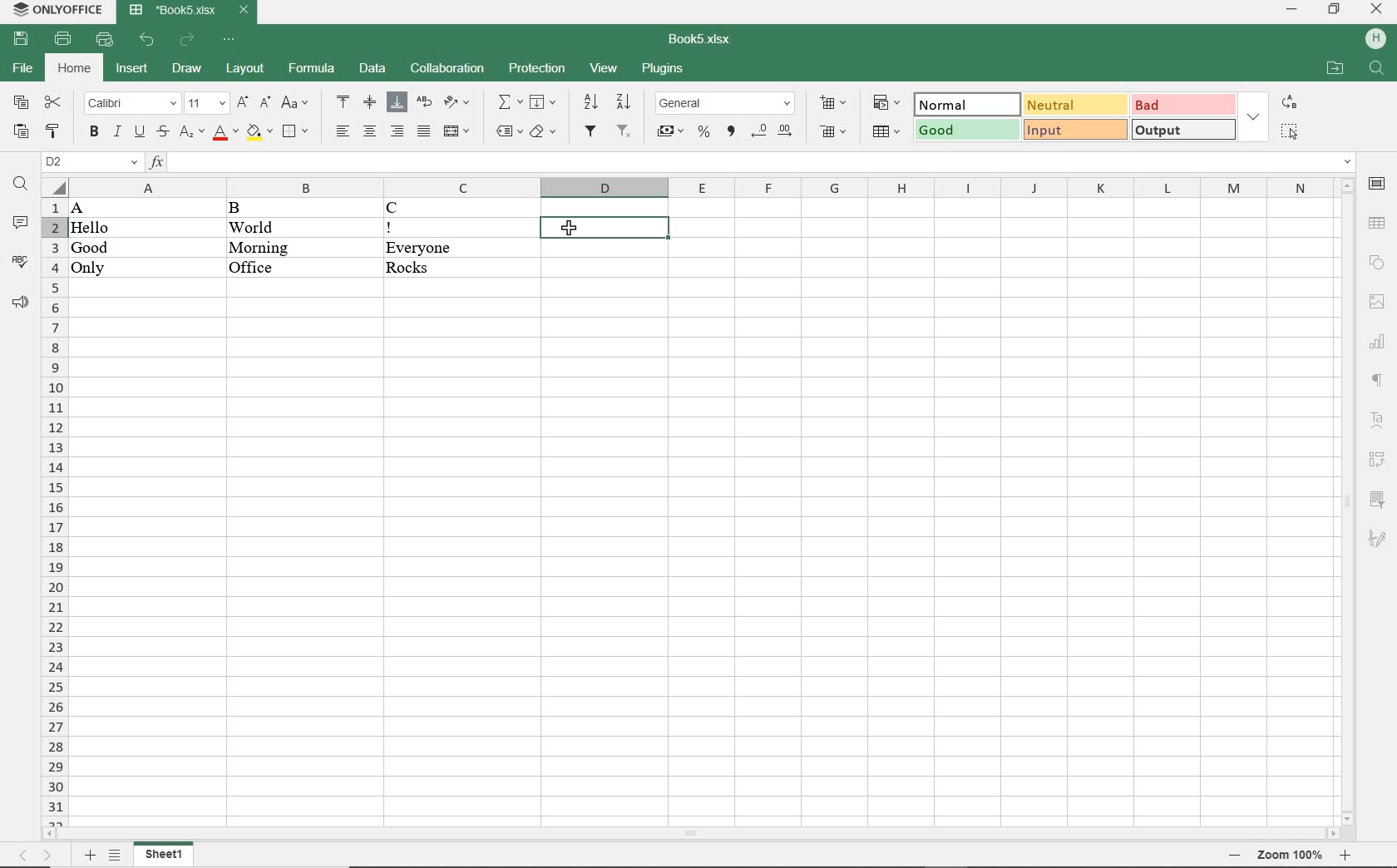  I want to click on COLLABORATION, so click(446, 68).